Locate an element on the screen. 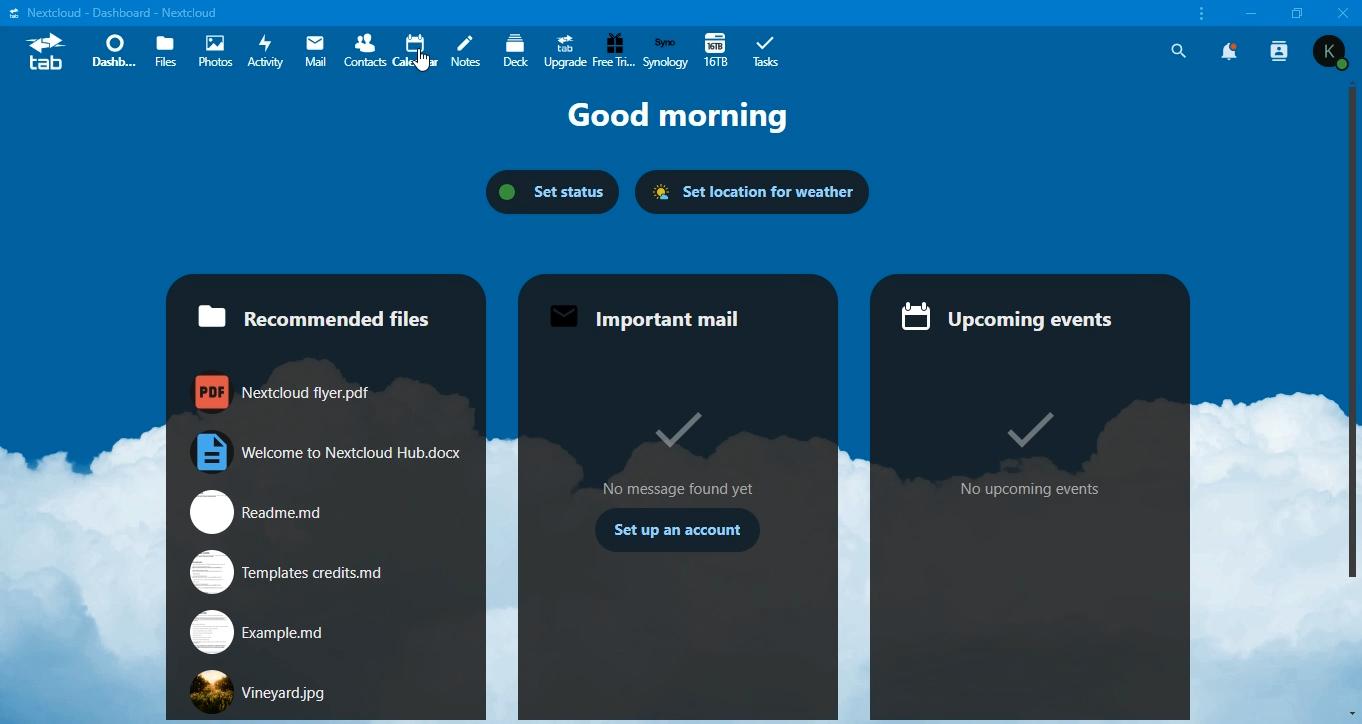 This screenshot has width=1362, height=724. synology is located at coordinates (664, 51).